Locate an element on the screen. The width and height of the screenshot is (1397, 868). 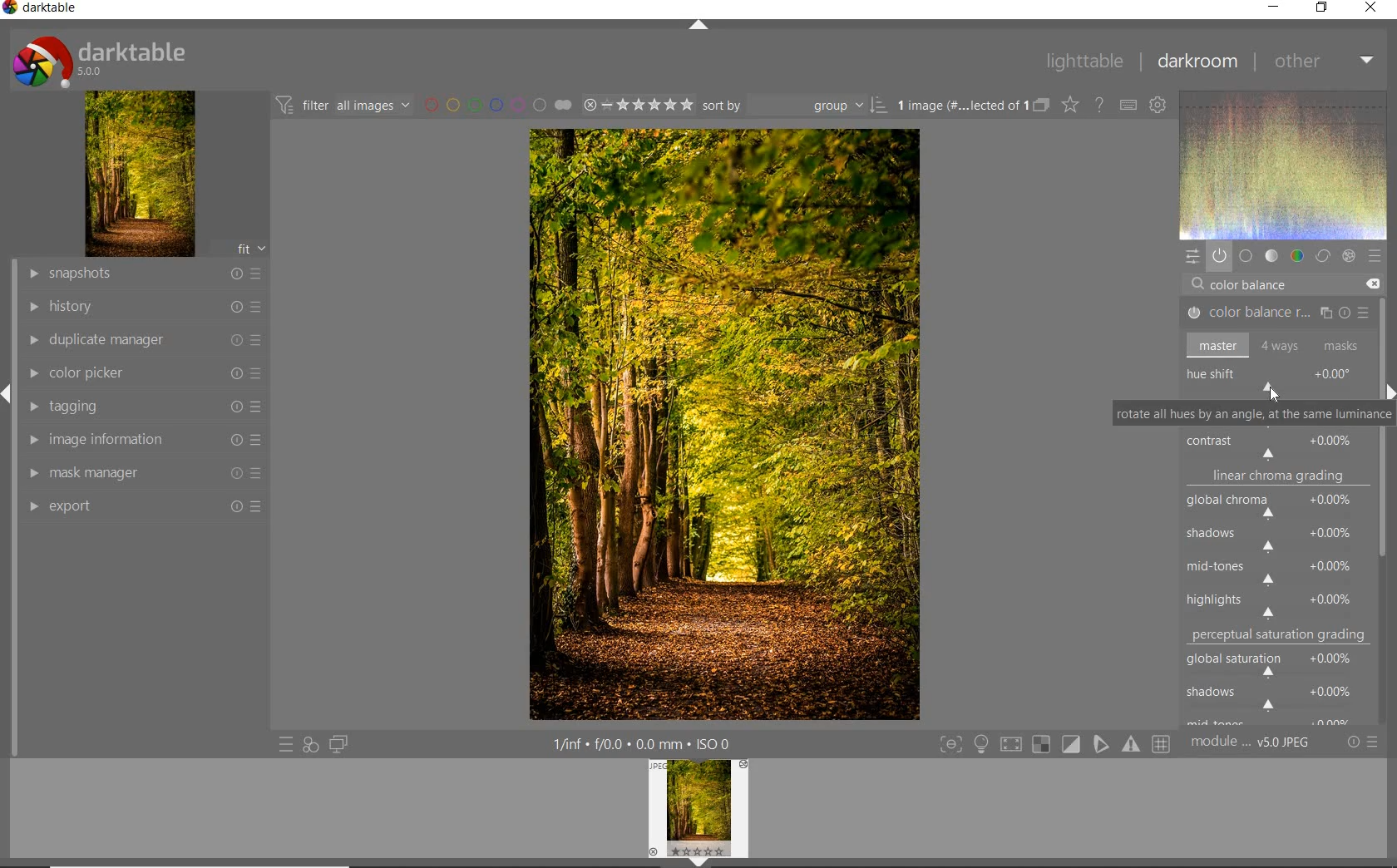
restore is located at coordinates (1320, 9).